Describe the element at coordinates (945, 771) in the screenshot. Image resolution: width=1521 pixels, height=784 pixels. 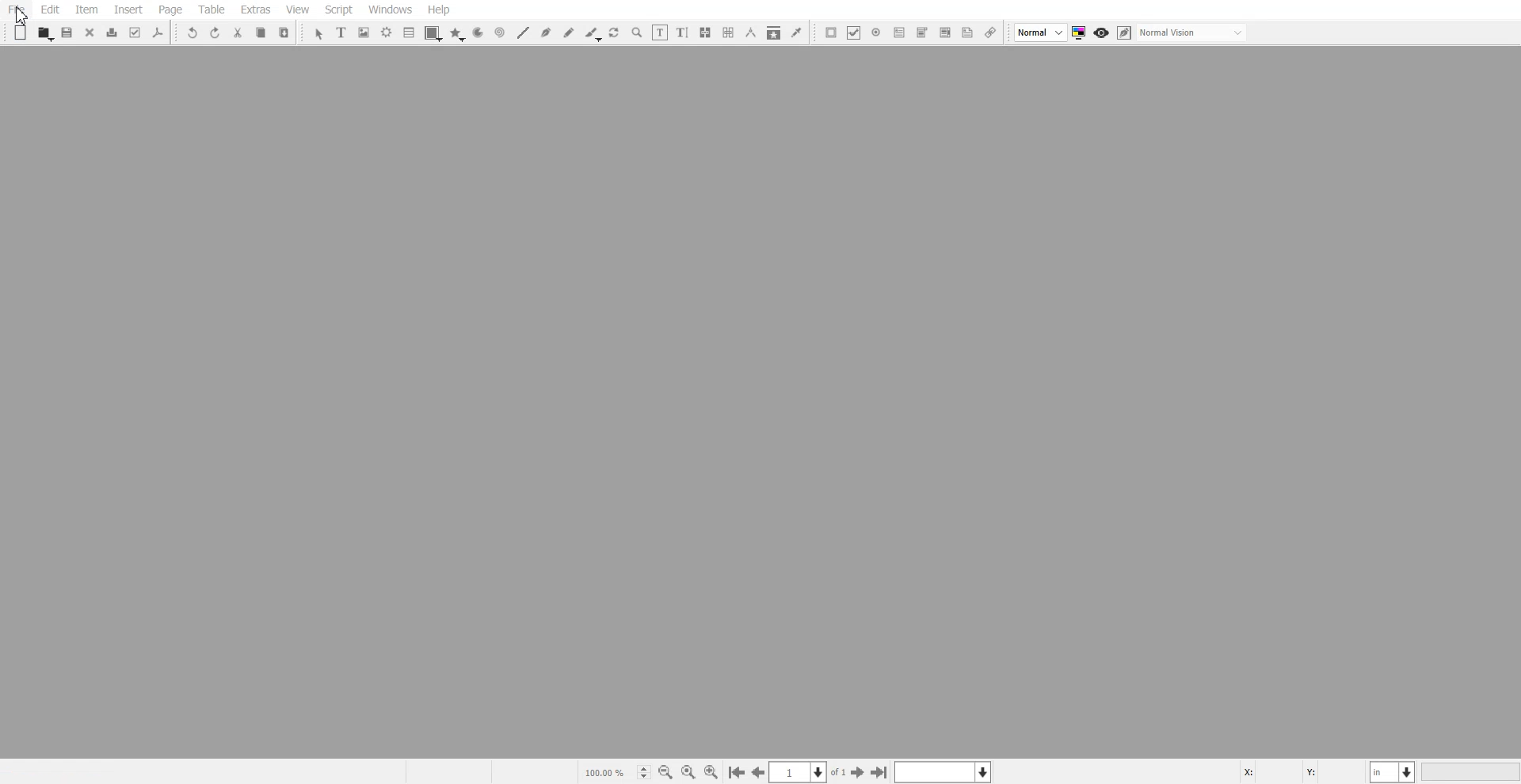
I see `Select the current layer` at that location.